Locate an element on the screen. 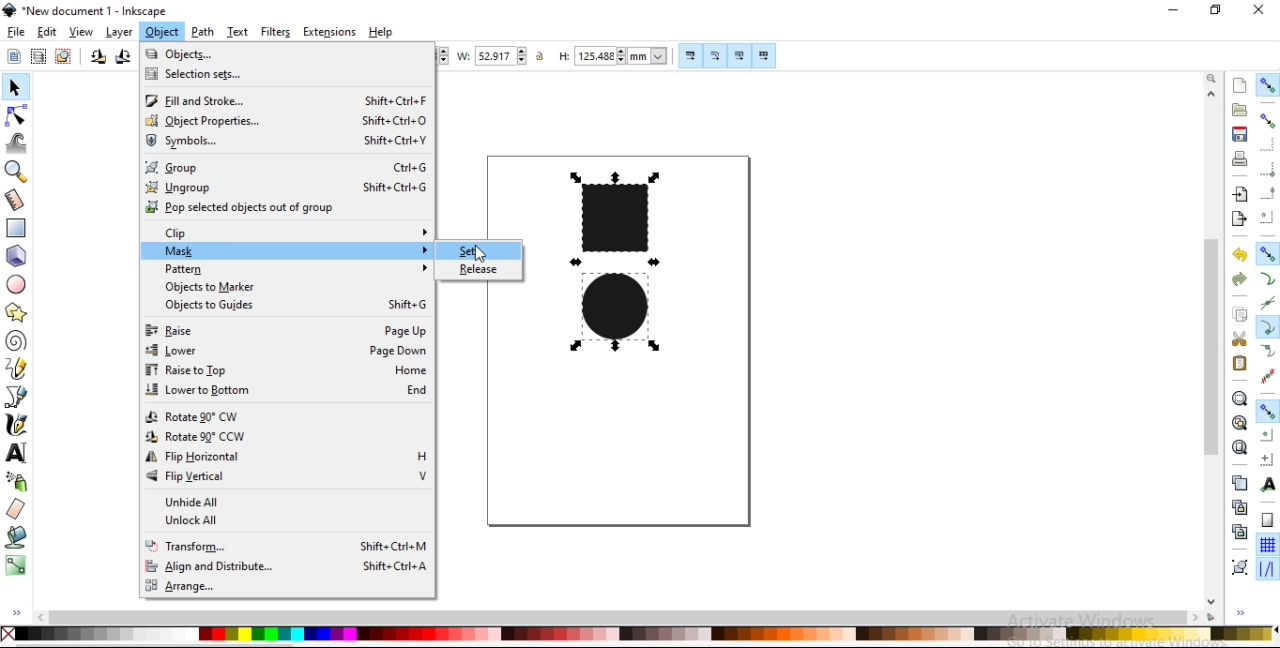  set is located at coordinates (477, 252).